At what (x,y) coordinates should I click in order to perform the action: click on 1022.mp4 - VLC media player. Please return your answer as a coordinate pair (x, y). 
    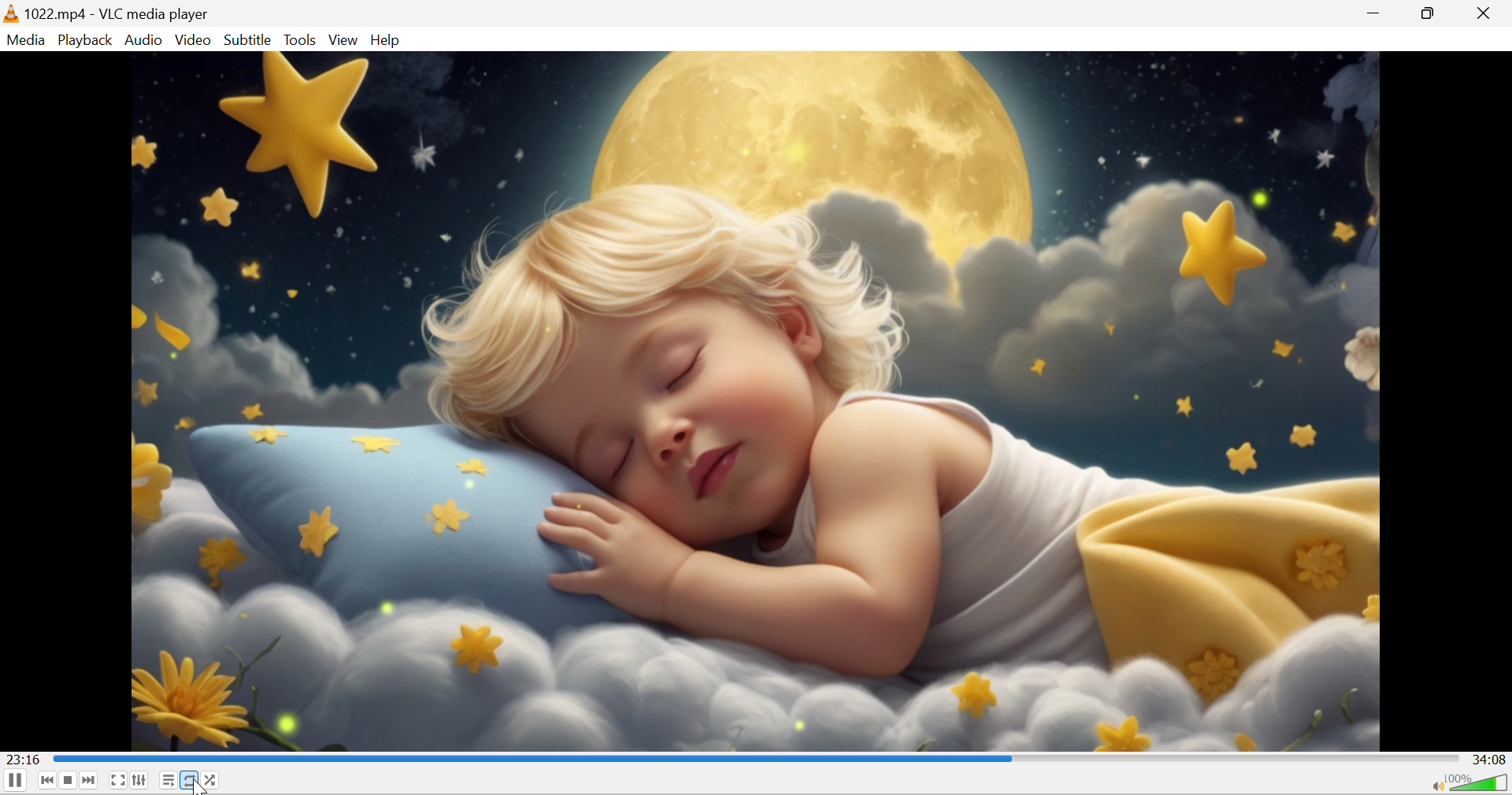
    Looking at the image, I should click on (117, 14).